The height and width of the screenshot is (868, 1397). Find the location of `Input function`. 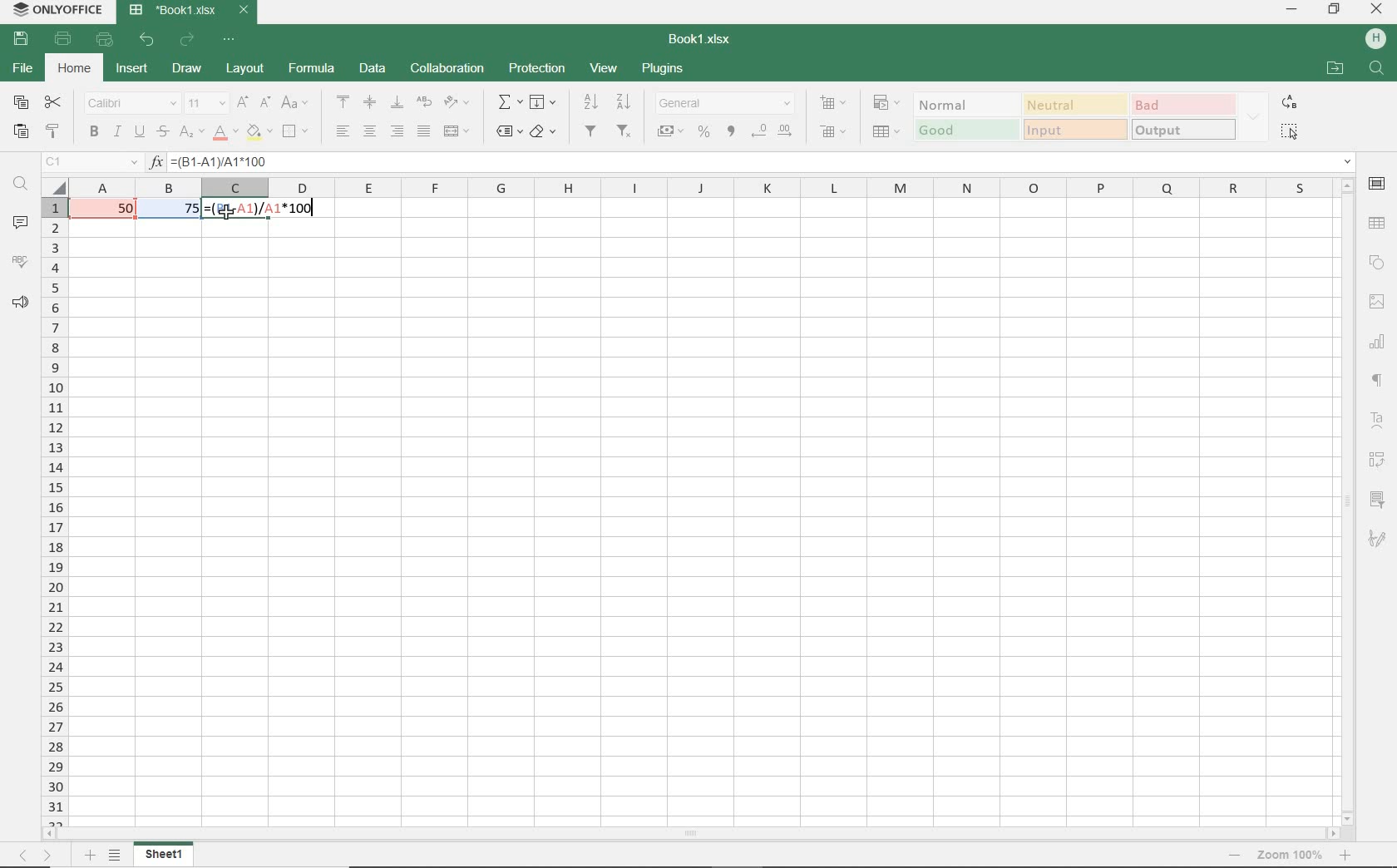

Input function is located at coordinates (157, 162).